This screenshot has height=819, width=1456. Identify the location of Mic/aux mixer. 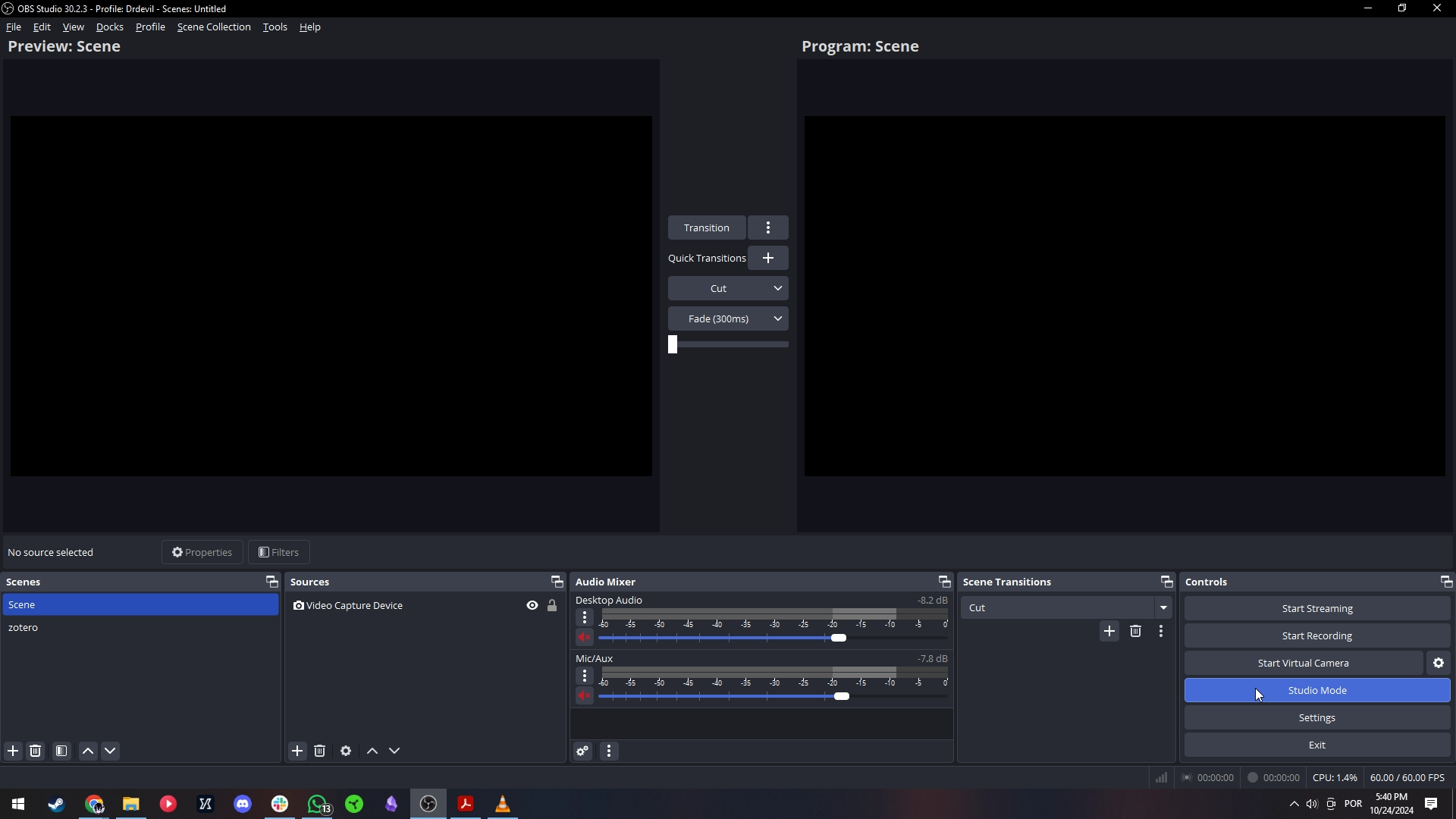
(761, 679).